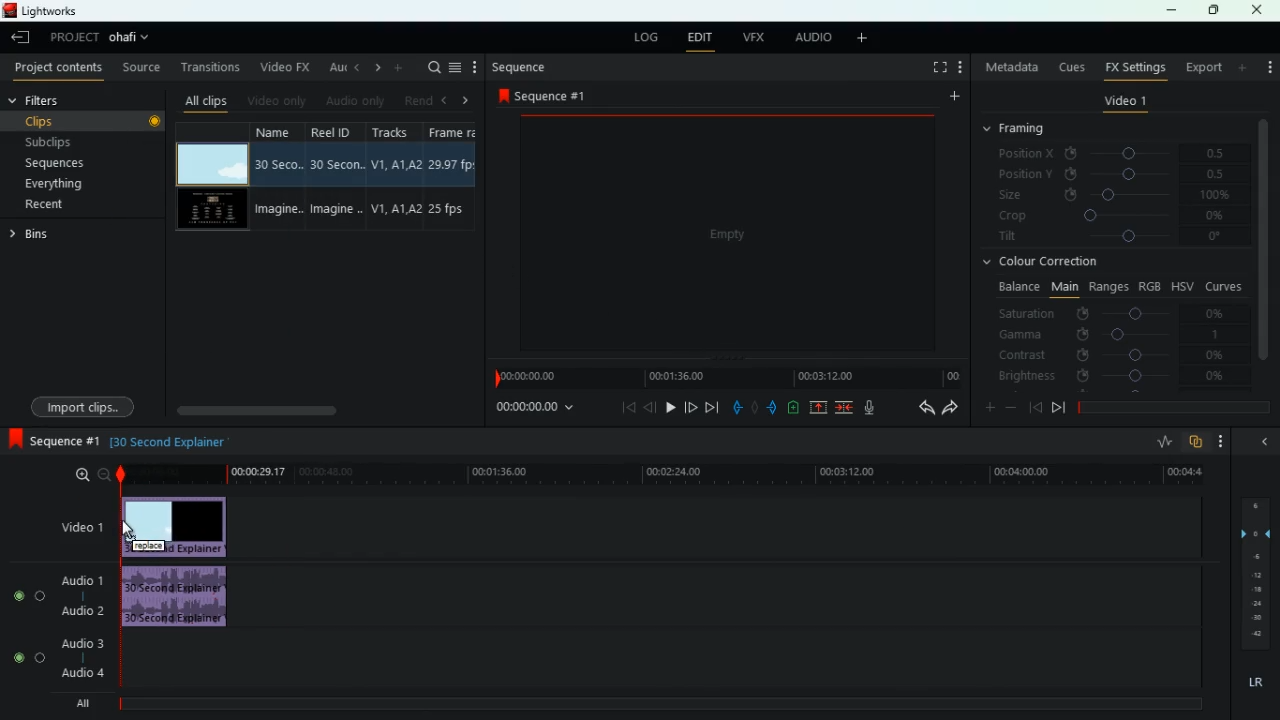  Describe the element at coordinates (813, 38) in the screenshot. I see `audio` at that location.